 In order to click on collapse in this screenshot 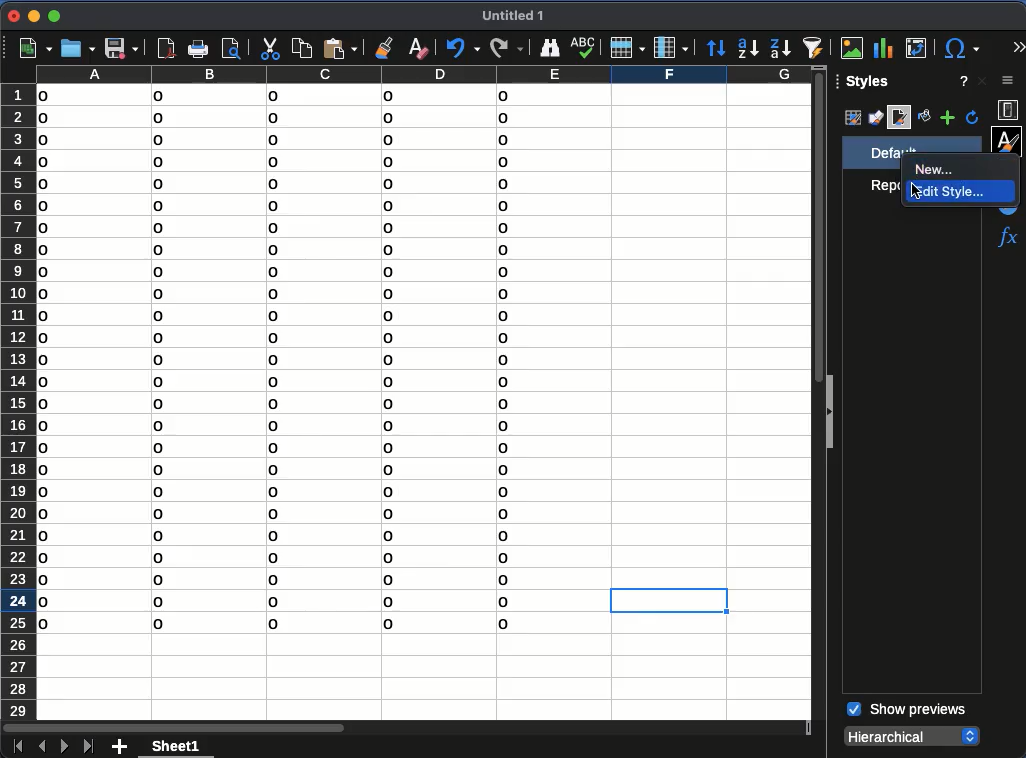, I will do `click(828, 412)`.